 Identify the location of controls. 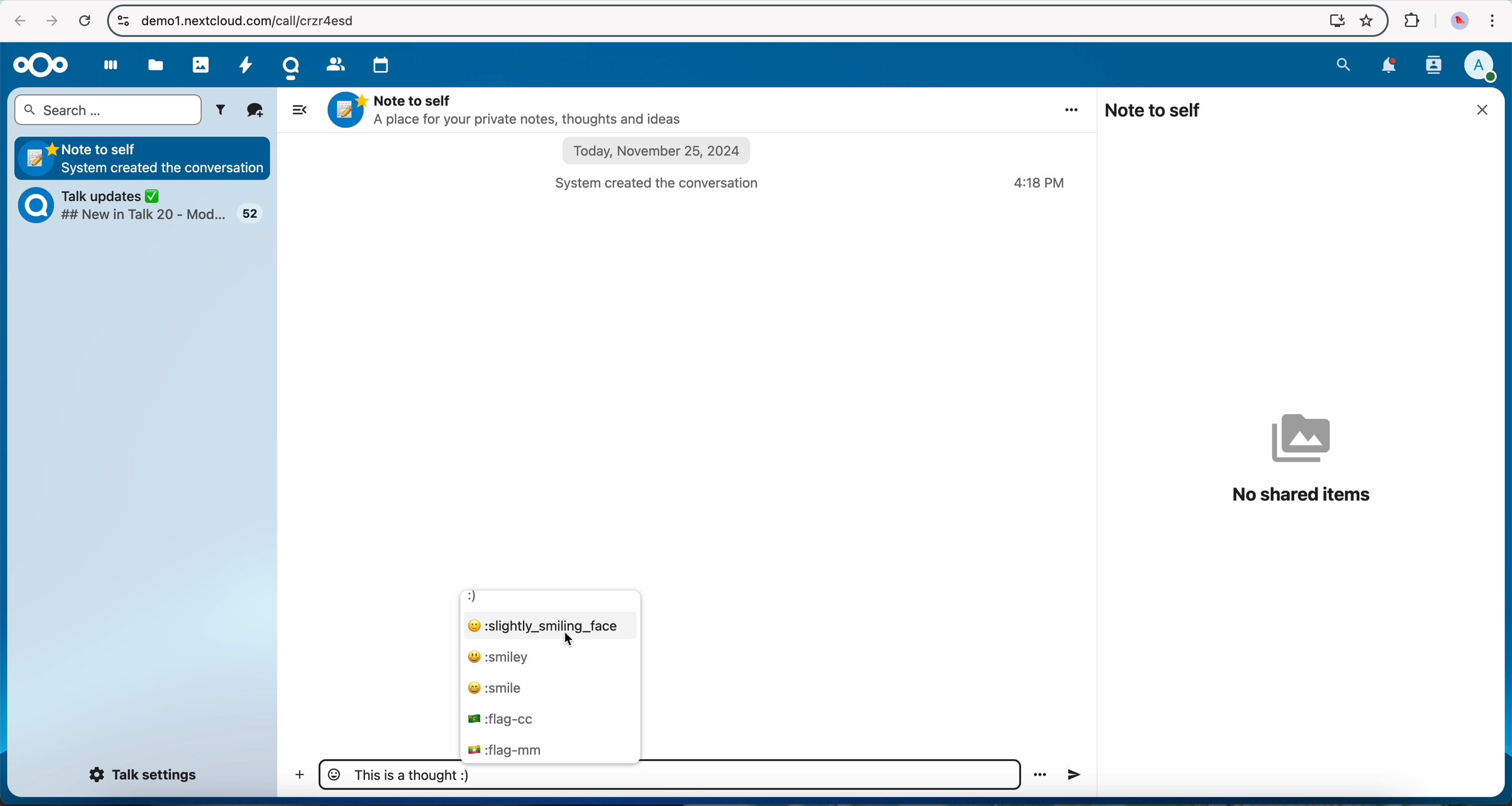
(121, 19).